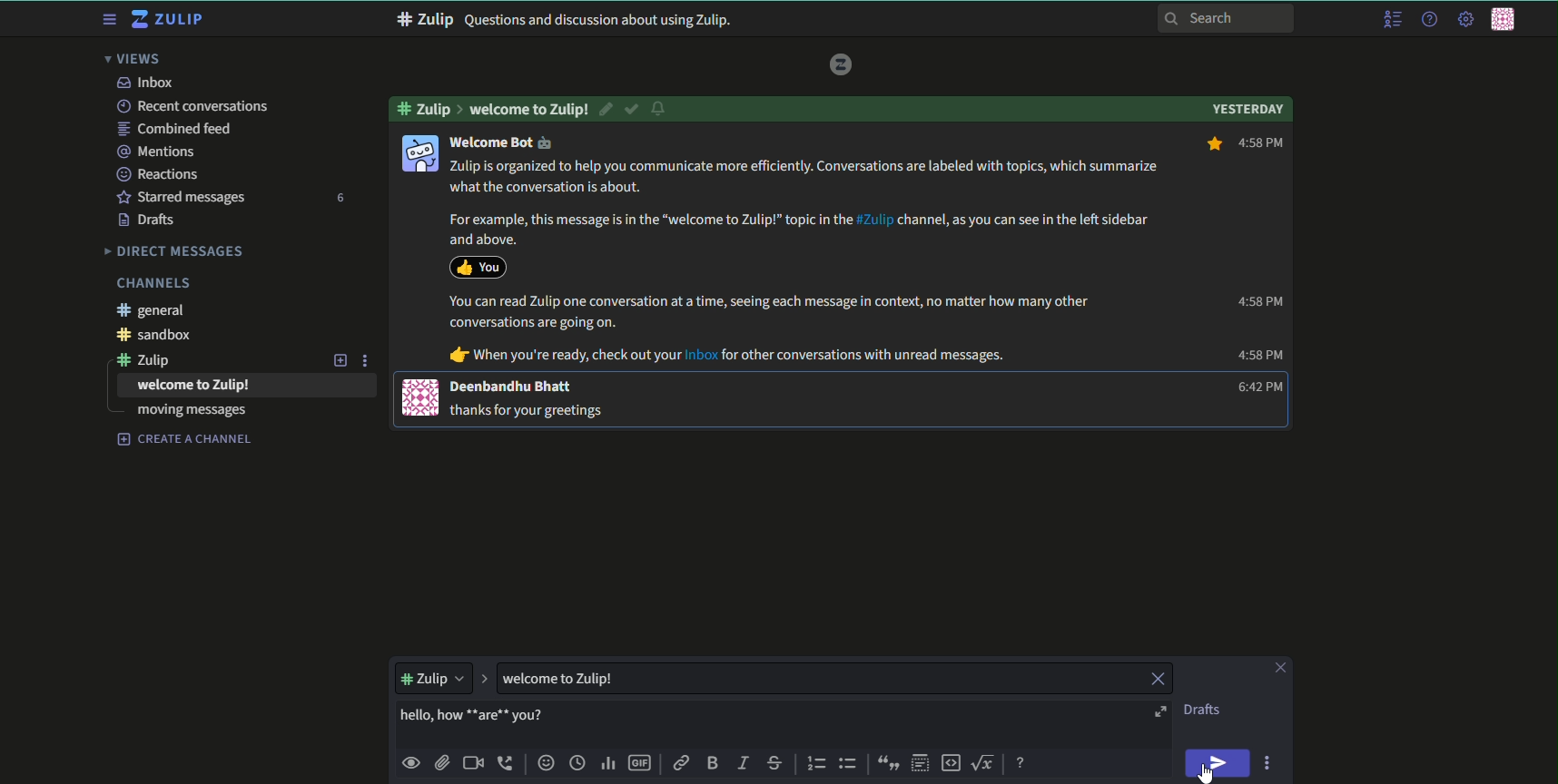 This screenshot has height=784, width=1558. I want to click on views, so click(138, 59).